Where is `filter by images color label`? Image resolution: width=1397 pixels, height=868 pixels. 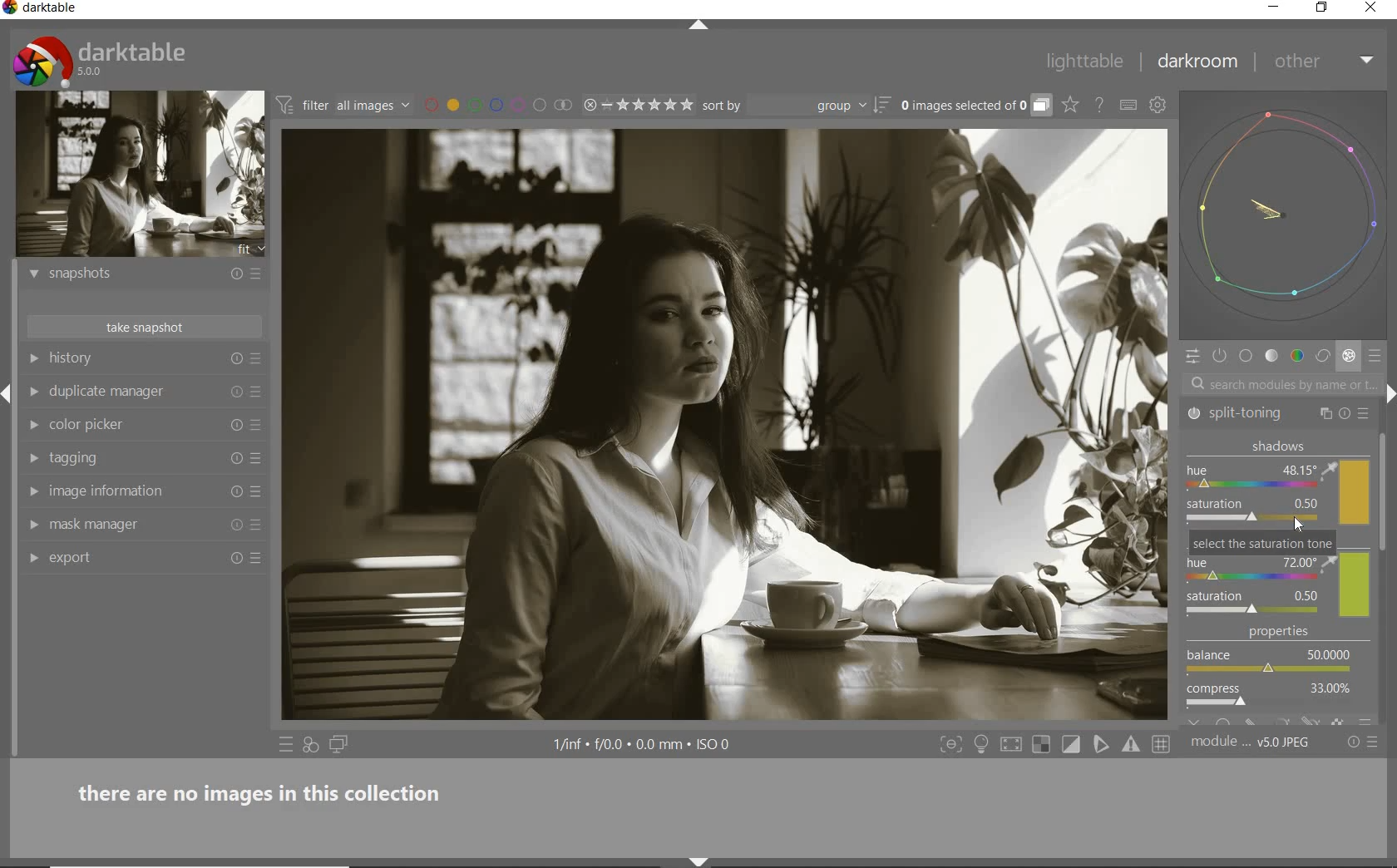 filter by images color label is located at coordinates (497, 105).